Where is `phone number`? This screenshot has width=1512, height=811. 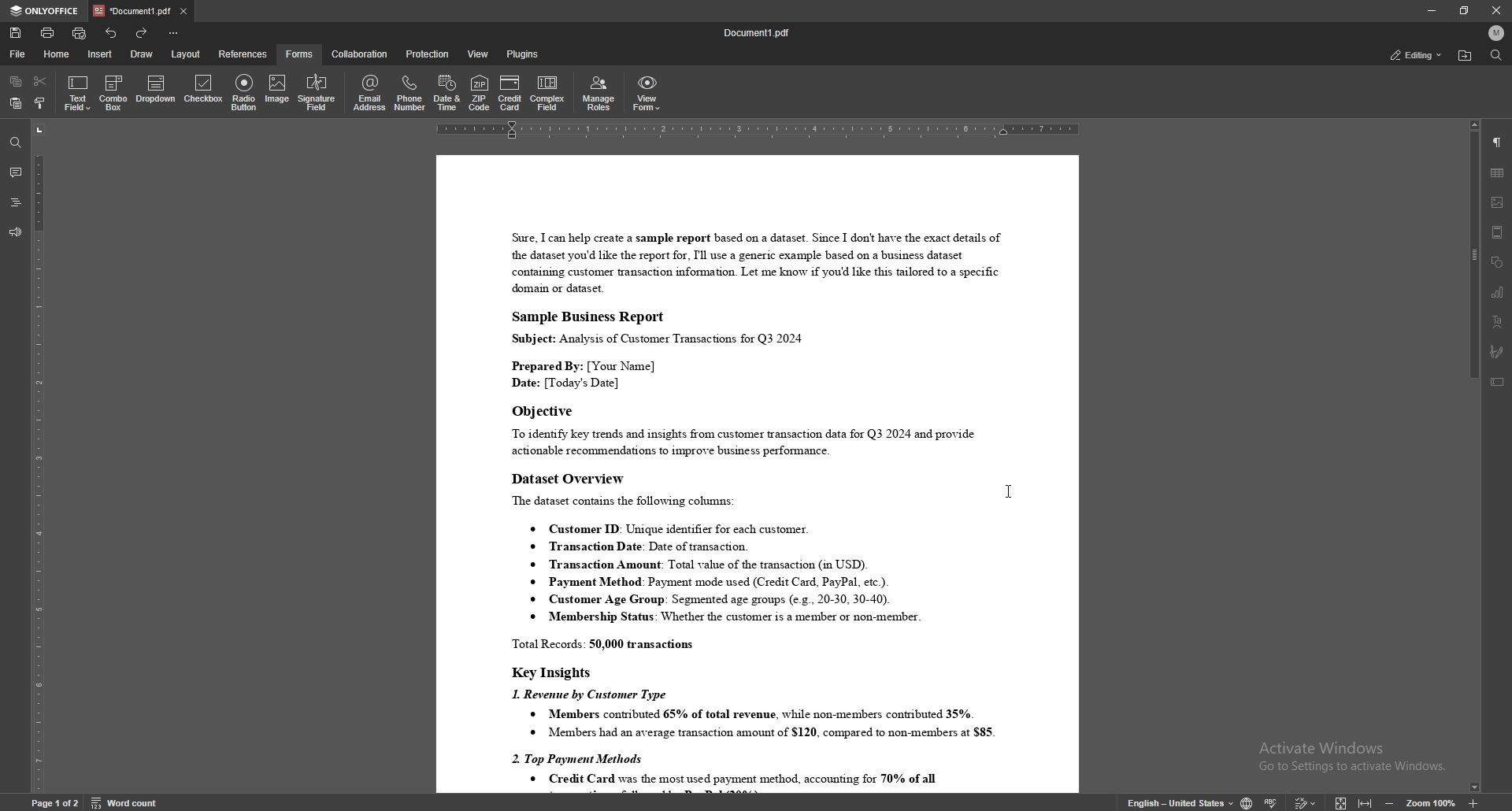 phone number is located at coordinates (411, 93).